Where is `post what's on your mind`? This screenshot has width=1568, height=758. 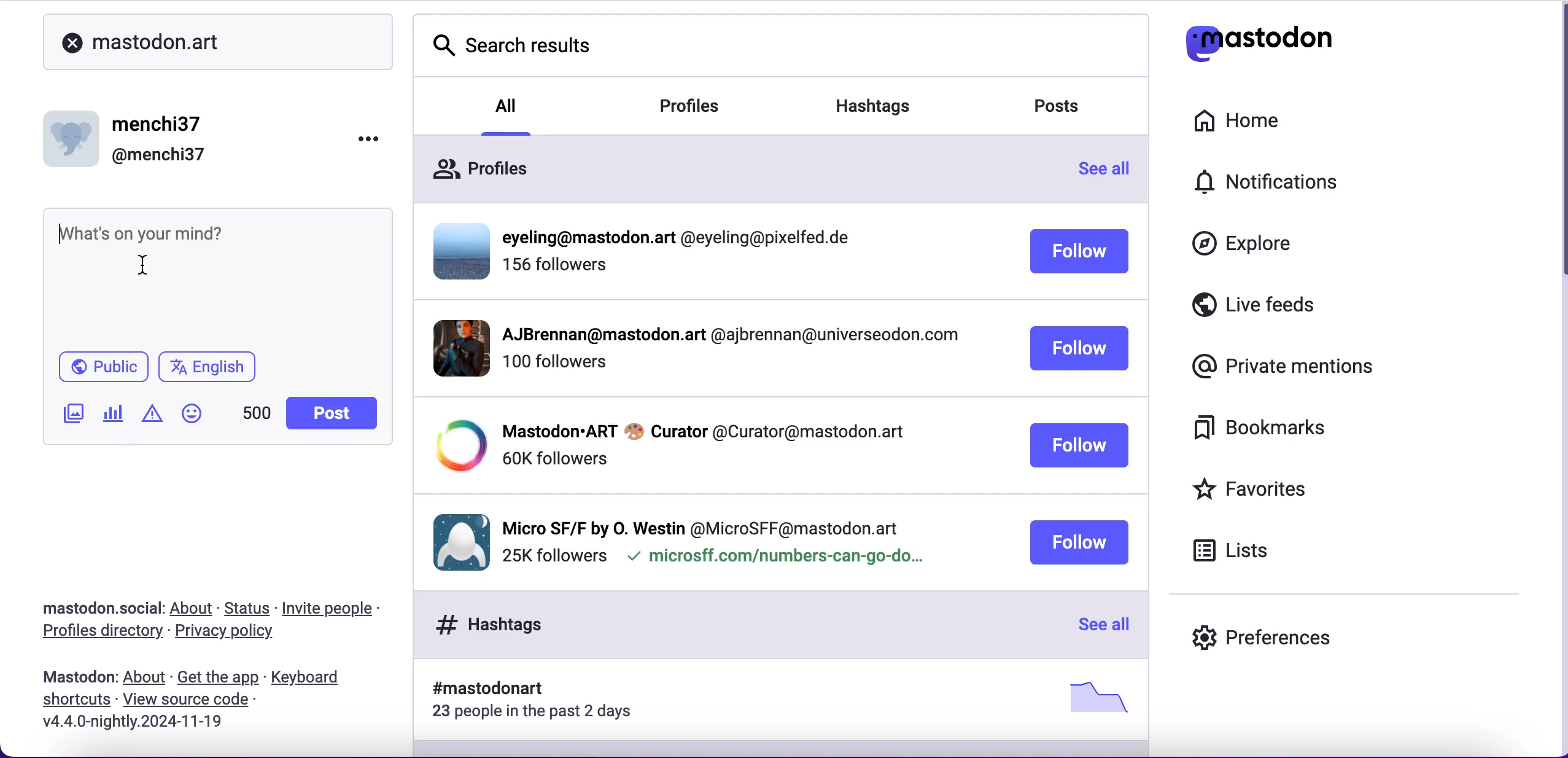
post what's on your mind is located at coordinates (149, 226).